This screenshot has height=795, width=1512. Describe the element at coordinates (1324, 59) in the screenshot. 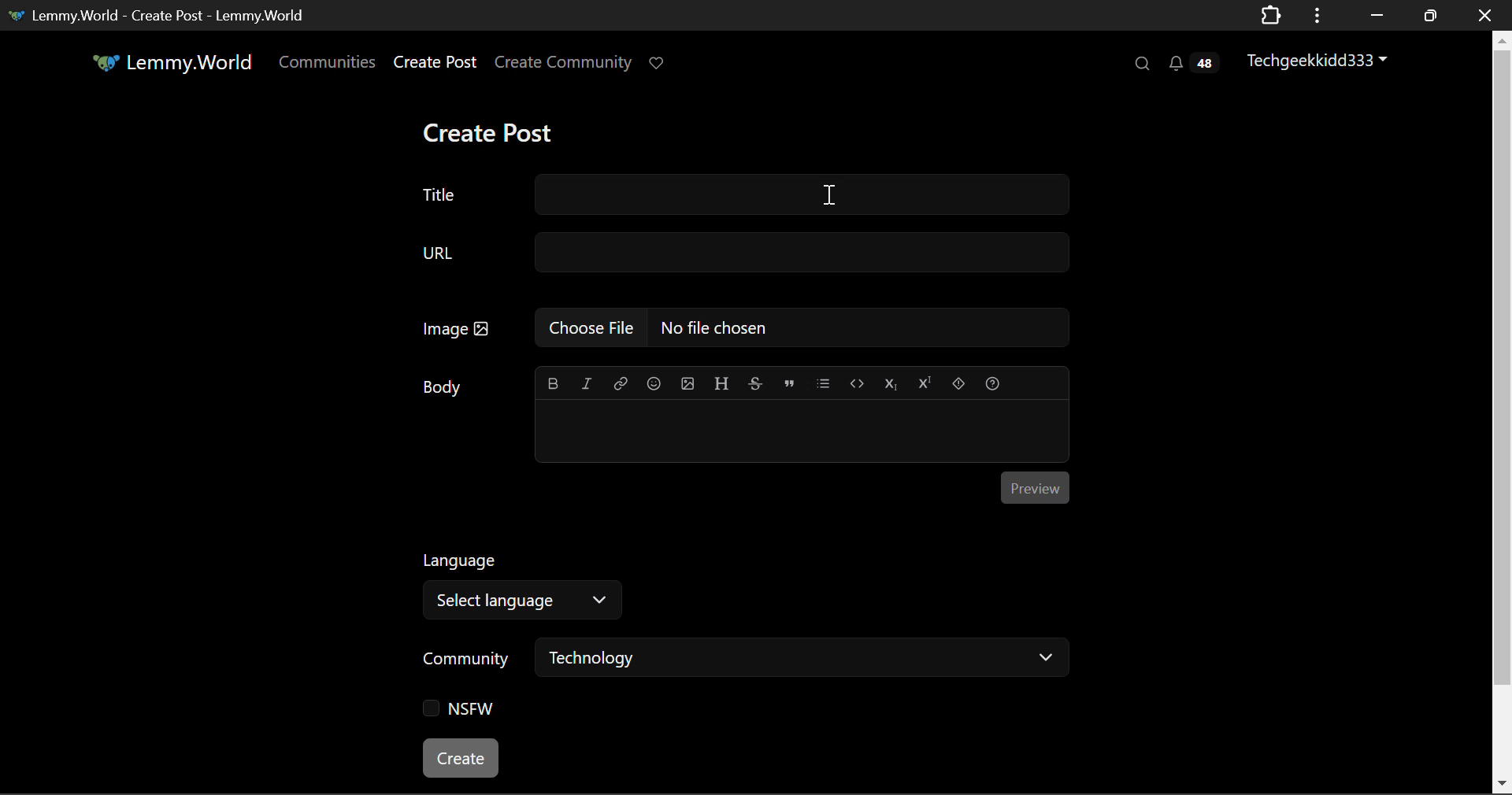

I see `Techgeekkidd333` at that location.